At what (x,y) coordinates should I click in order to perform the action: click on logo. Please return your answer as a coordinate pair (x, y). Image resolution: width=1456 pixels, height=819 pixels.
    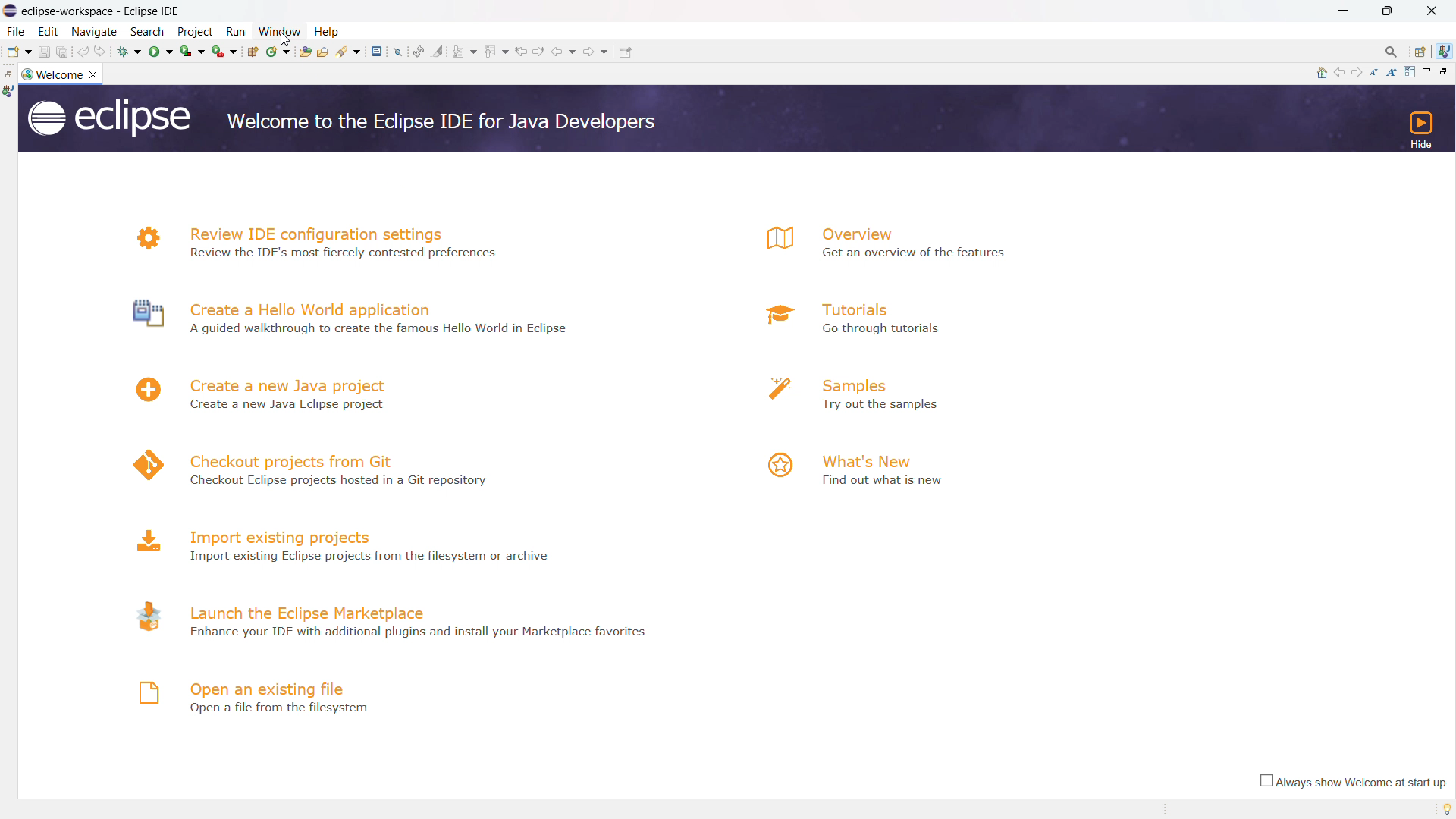
    Looking at the image, I should click on (145, 540).